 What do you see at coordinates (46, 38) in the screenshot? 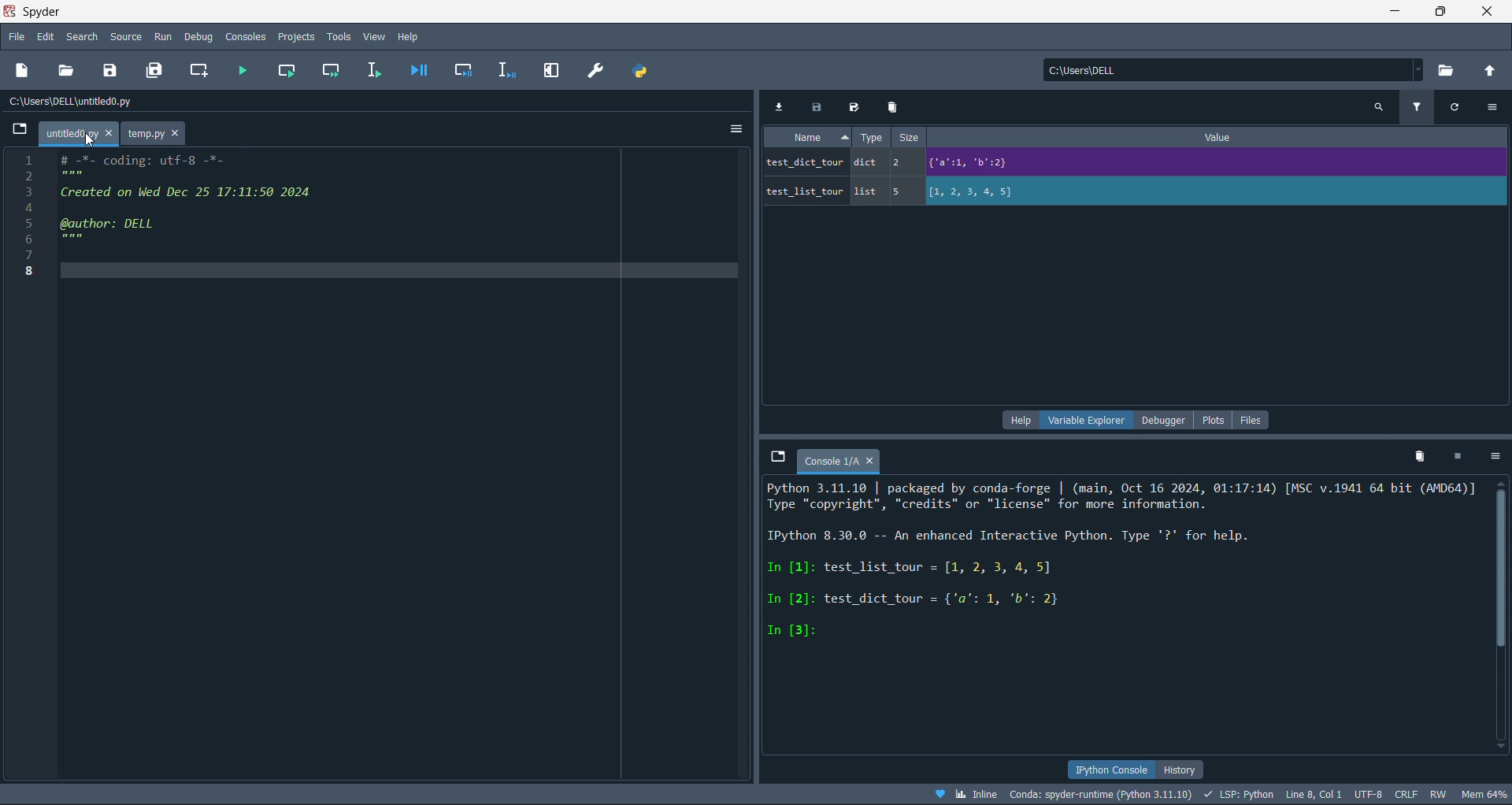
I see `edit` at bounding box center [46, 38].